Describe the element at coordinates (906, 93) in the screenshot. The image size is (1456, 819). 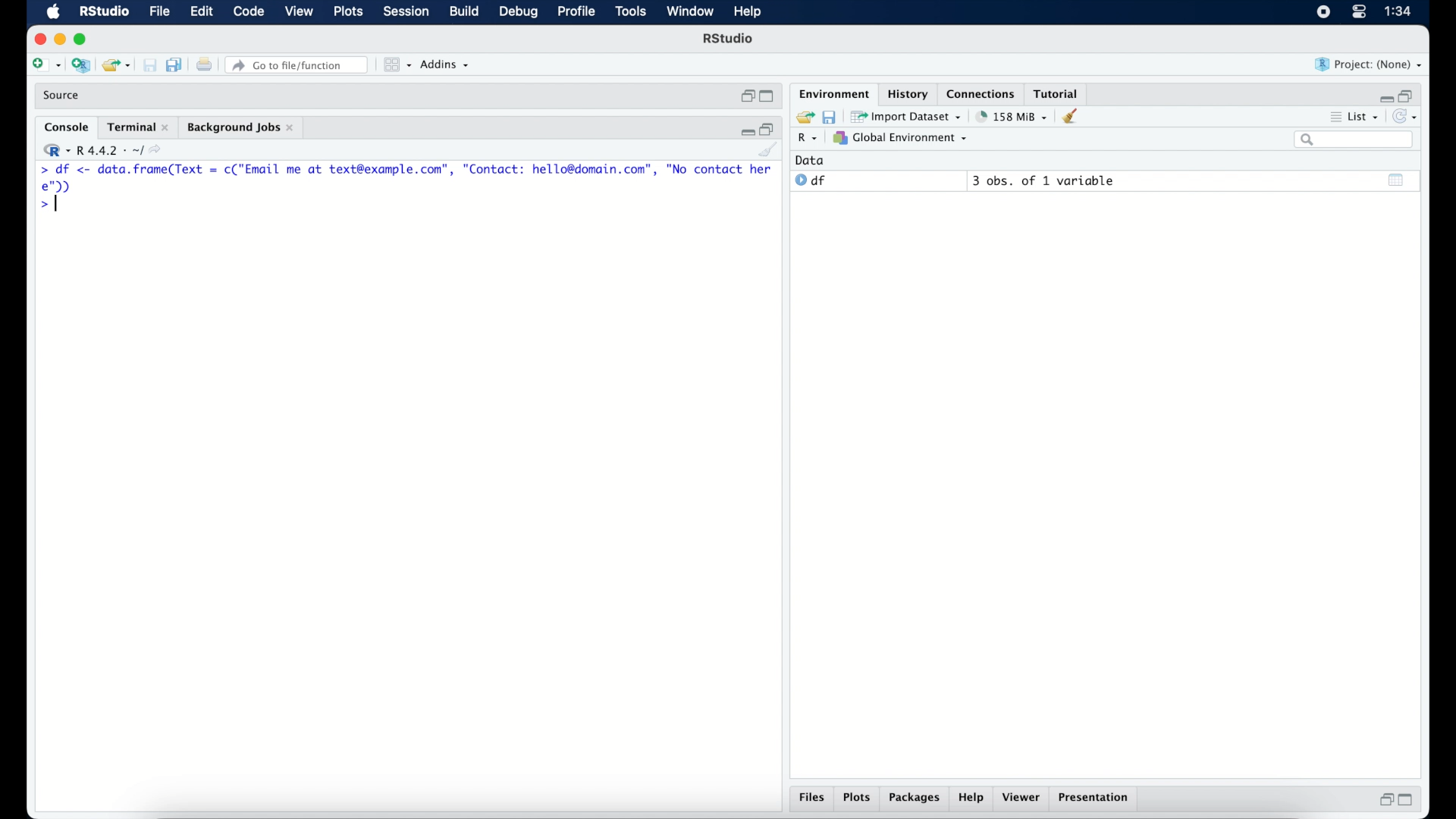
I see `History` at that location.